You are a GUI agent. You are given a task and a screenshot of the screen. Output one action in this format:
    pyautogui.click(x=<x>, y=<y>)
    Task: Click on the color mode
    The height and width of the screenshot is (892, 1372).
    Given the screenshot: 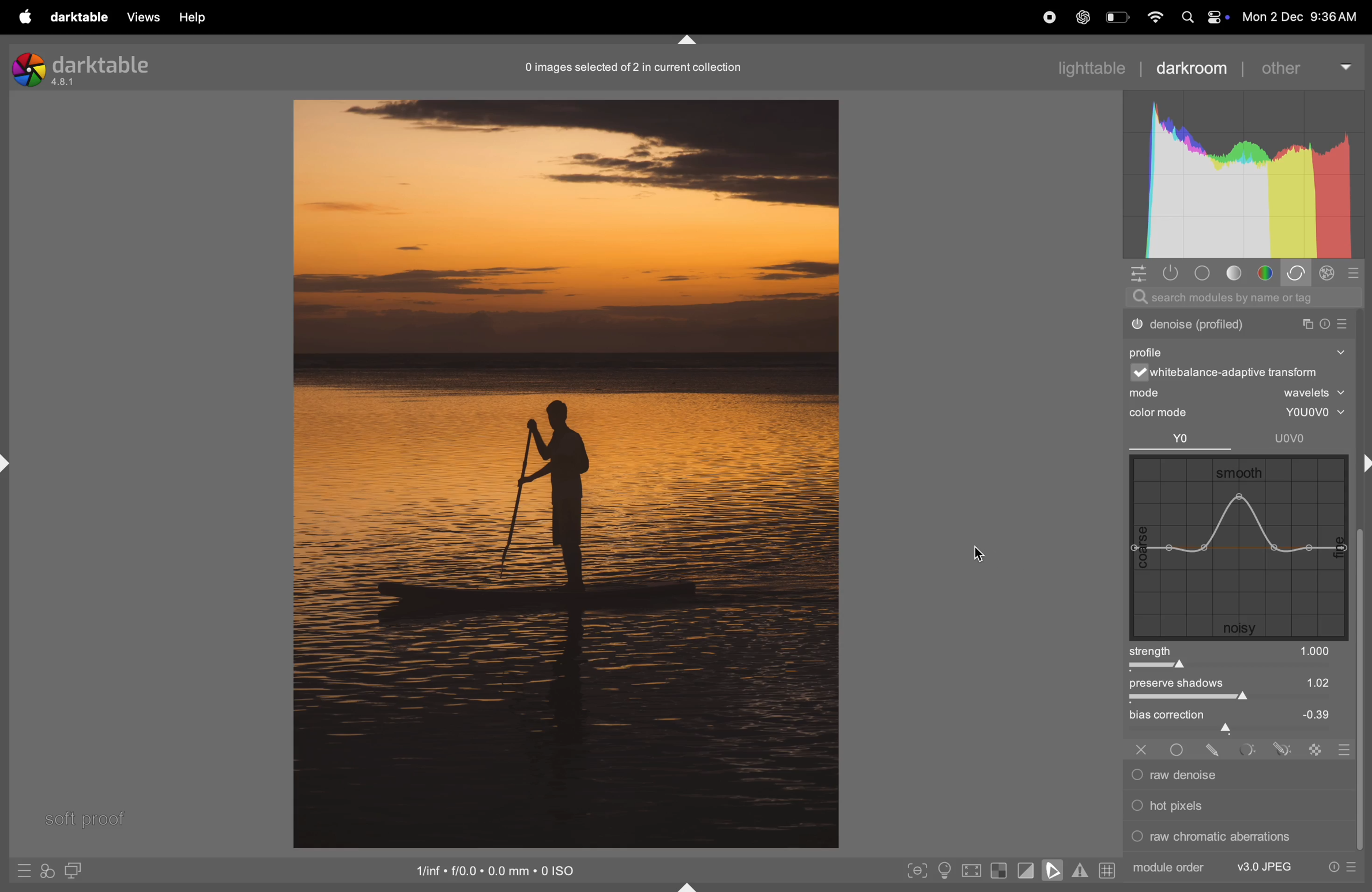 What is the action you would take?
    pyautogui.click(x=1170, y=413)
    